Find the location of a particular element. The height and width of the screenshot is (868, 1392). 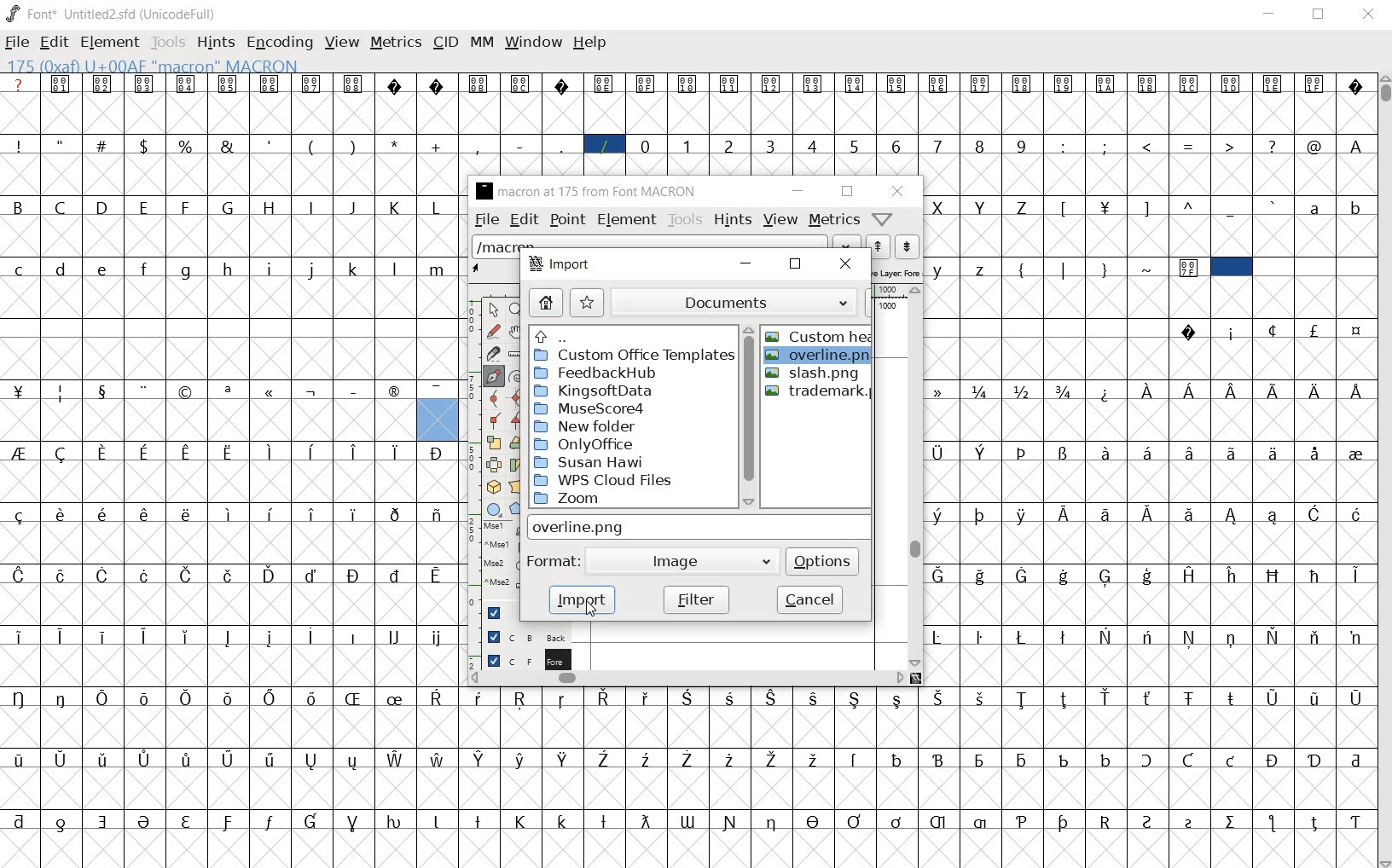

Symbol is located at coordinates (357, 697).